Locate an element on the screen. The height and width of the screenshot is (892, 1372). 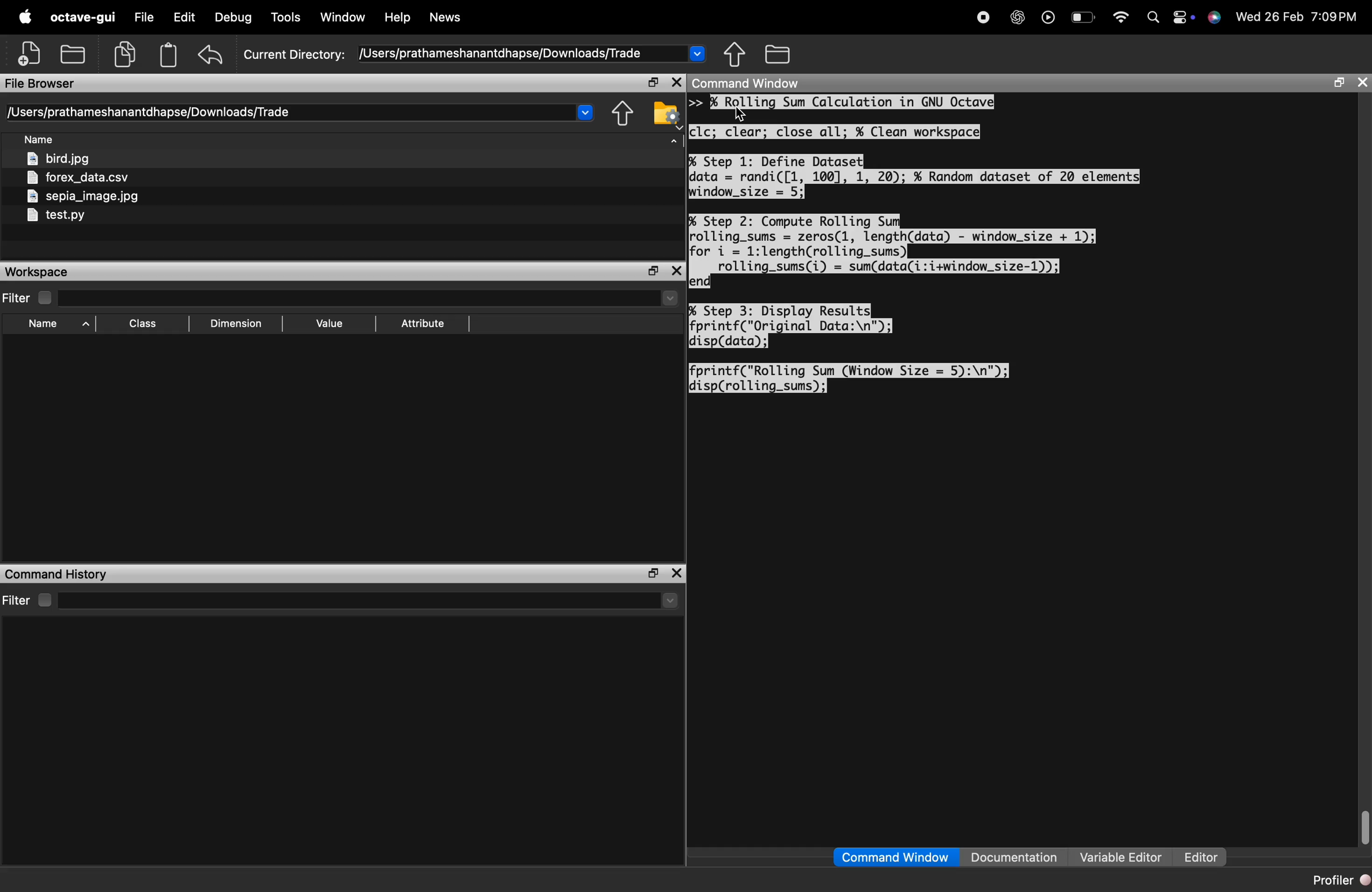
variable editor is located at coordinates (1121, 857).